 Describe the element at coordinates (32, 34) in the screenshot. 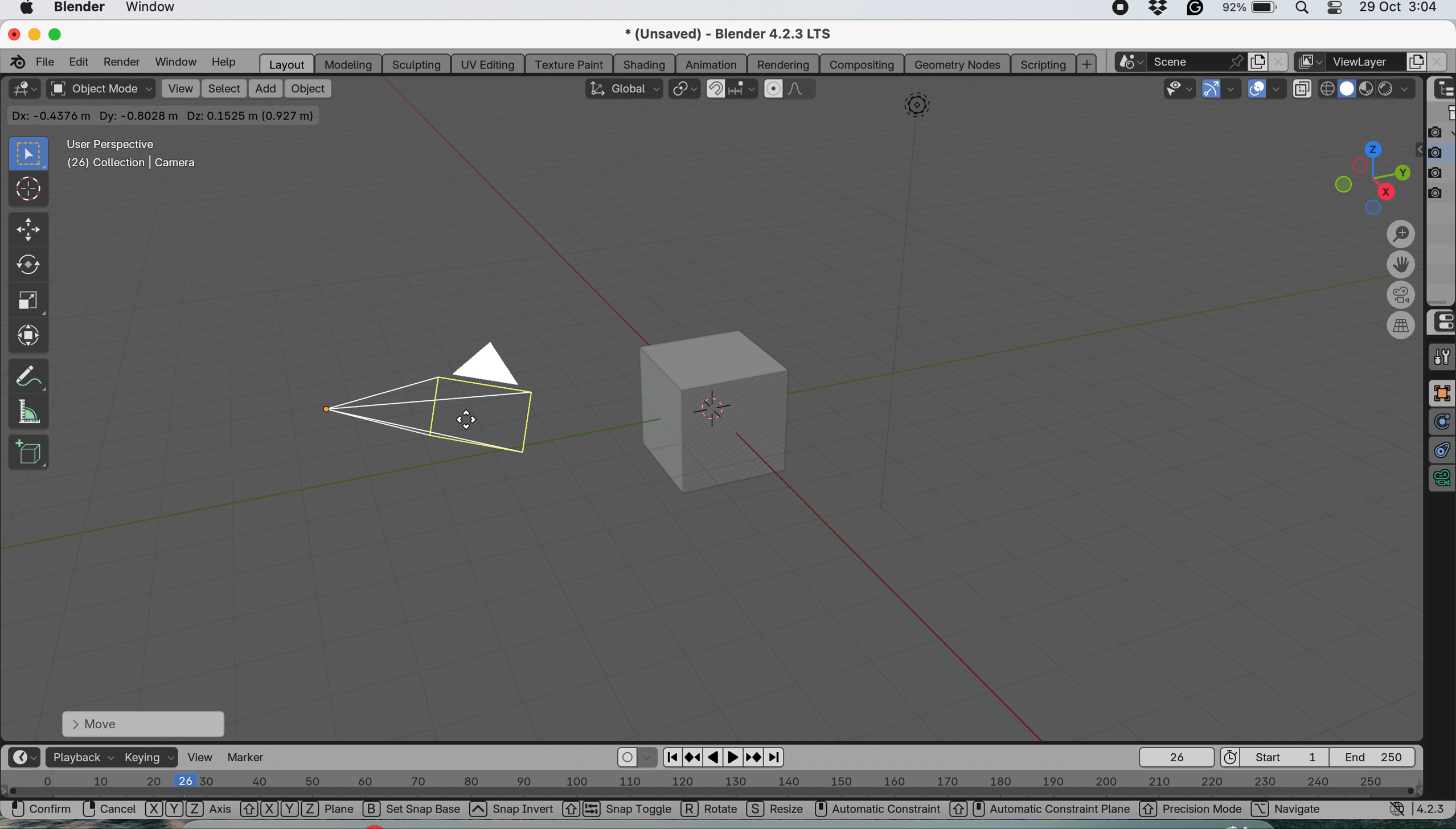

I see `minimise` at that location.